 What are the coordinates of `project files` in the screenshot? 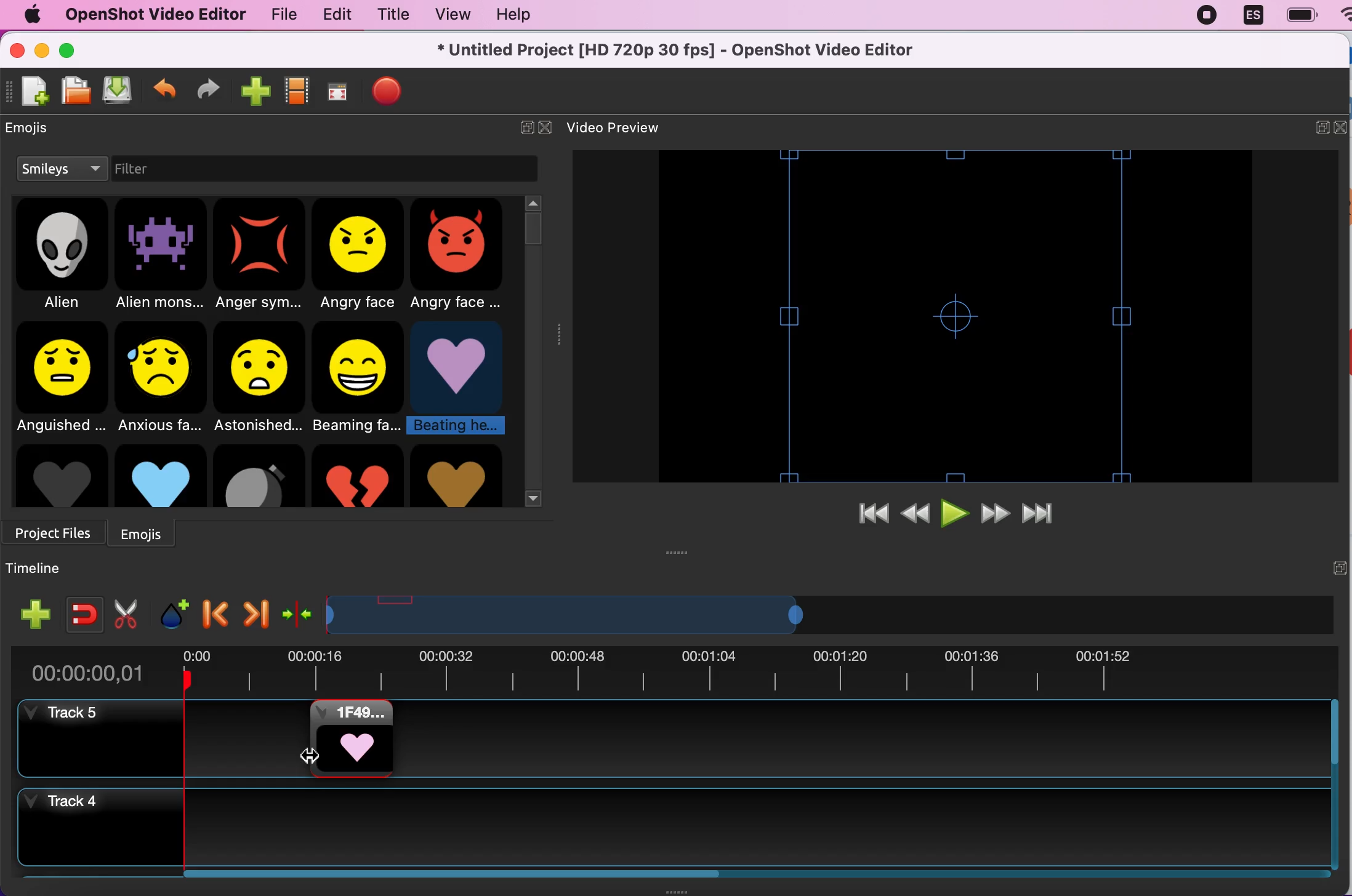 It's located at (56, 529).